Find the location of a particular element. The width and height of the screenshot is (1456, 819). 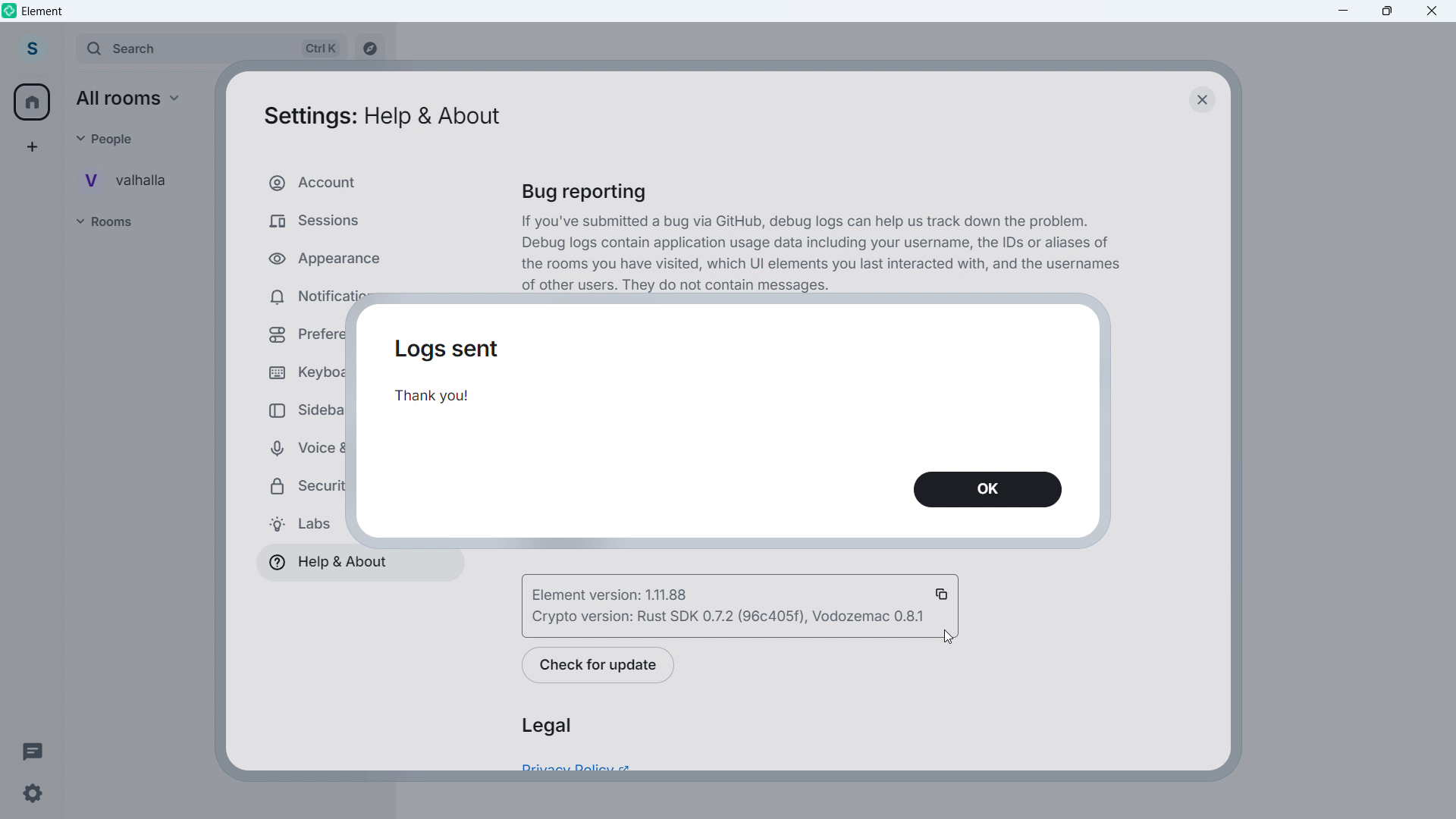

minimise  is located at coordinates (1344, 11).